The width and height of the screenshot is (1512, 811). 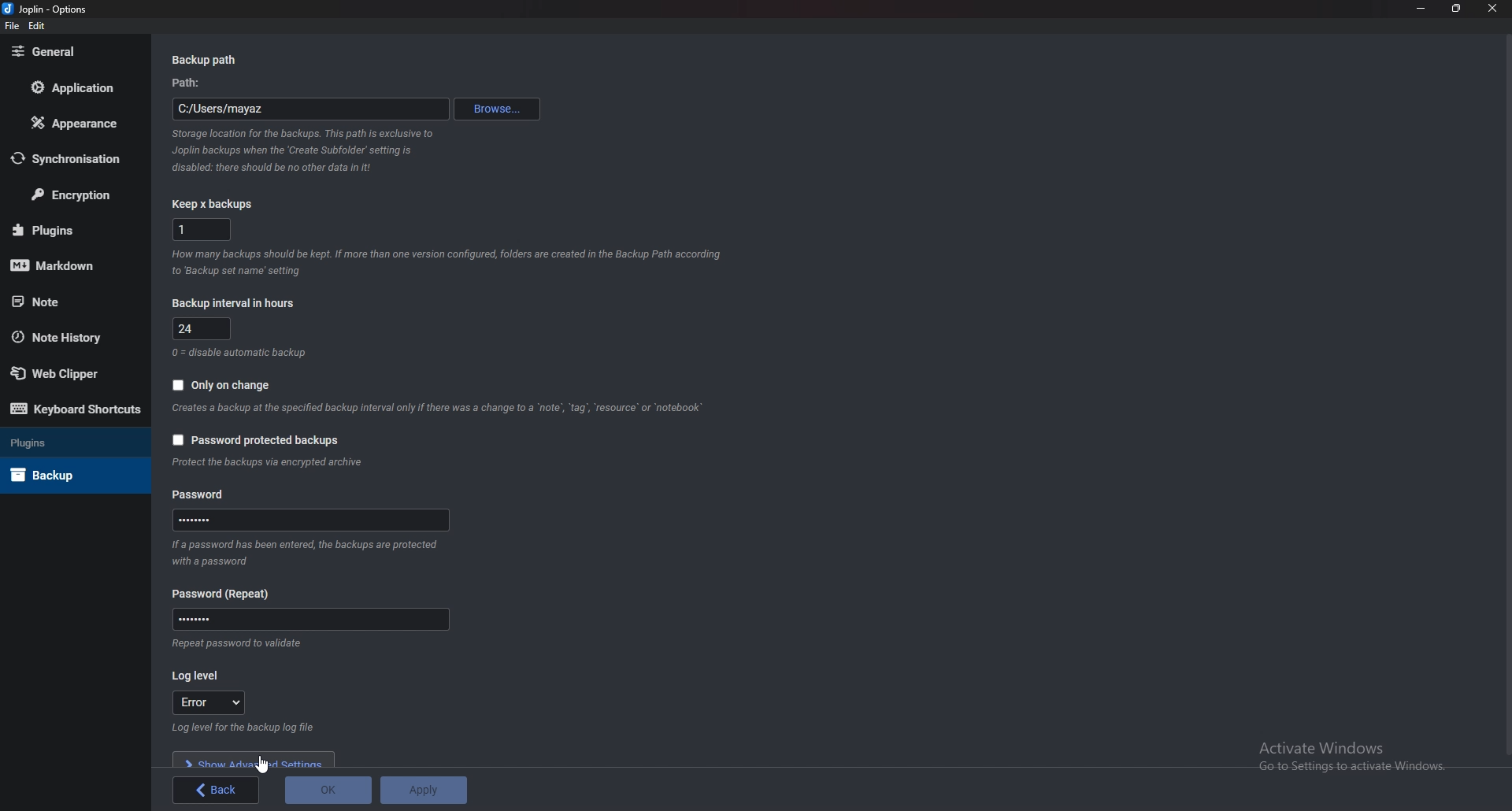 What do you see at coordinates (302, 553) in the screenshot?
I see `Info on password` at bounding box center [302, 553].